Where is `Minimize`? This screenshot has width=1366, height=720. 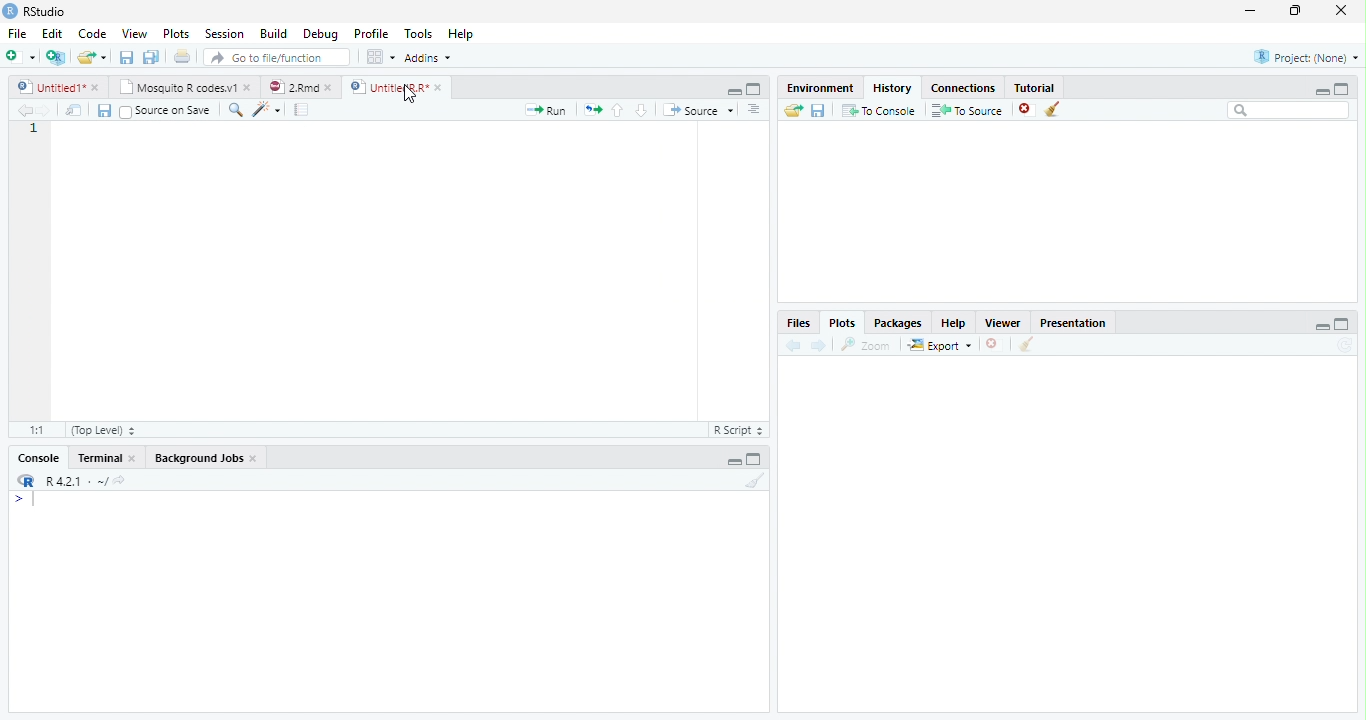
Minimize is located at coordinates (1321, 326).